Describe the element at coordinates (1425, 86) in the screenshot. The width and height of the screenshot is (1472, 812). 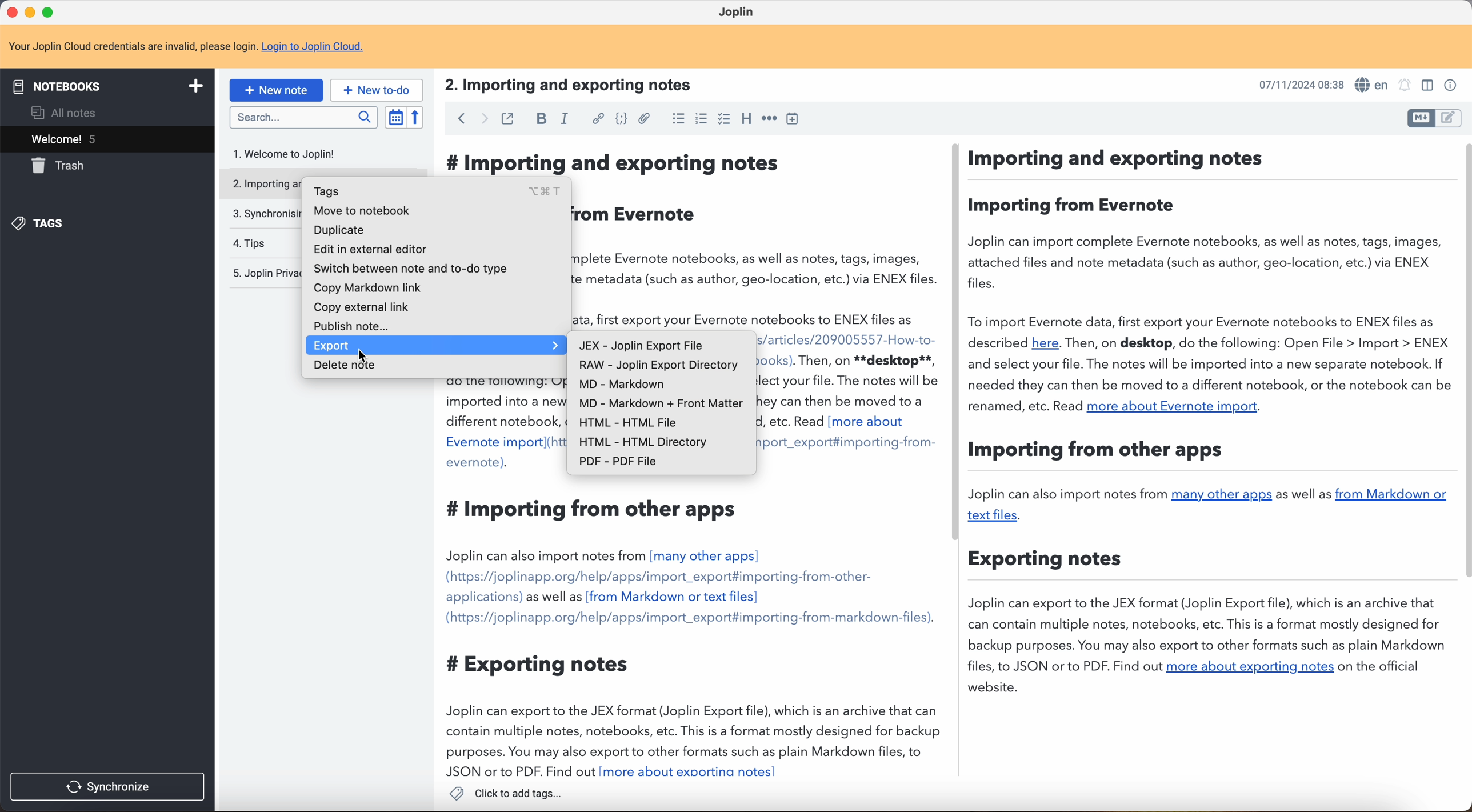
I see `toggle editor layout` at that location.